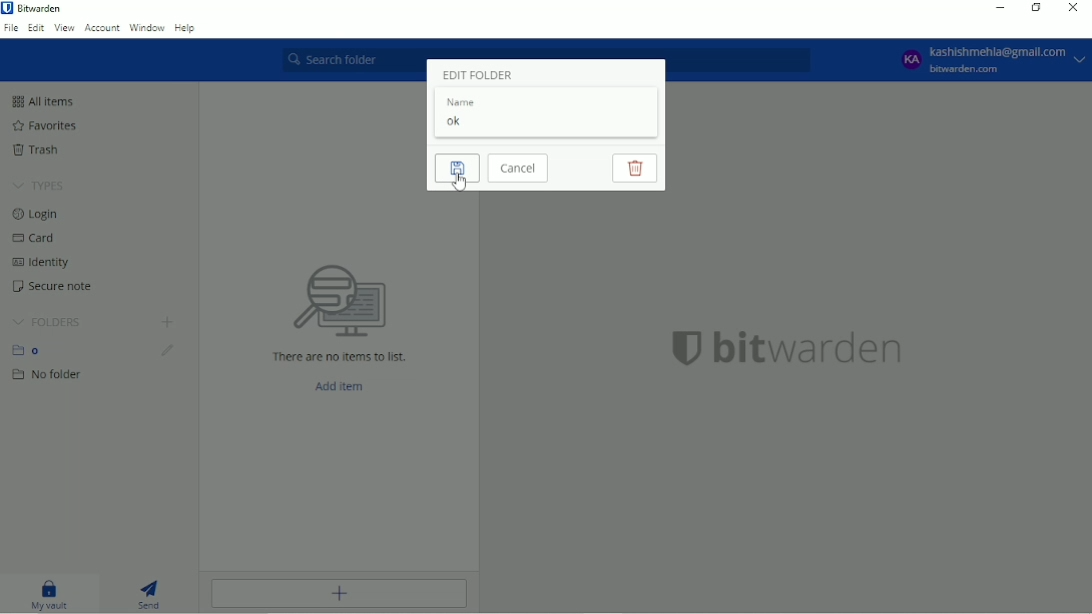 The image size is (1092, 614). I want to click on Add folder, so click(166, 323).